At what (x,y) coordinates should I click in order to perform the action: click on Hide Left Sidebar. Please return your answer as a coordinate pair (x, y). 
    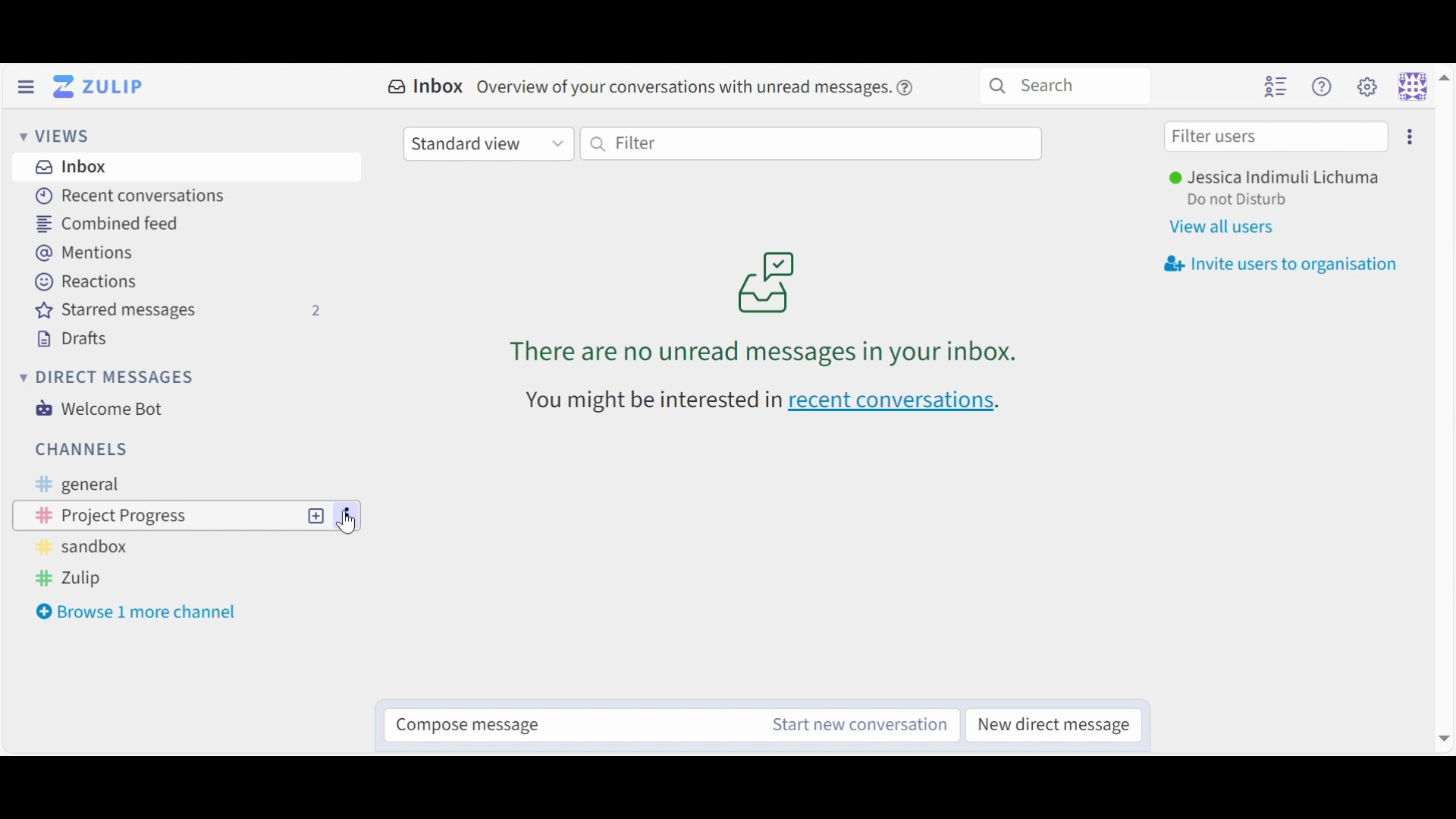
    Looking at the image, I should click on (24, 86).